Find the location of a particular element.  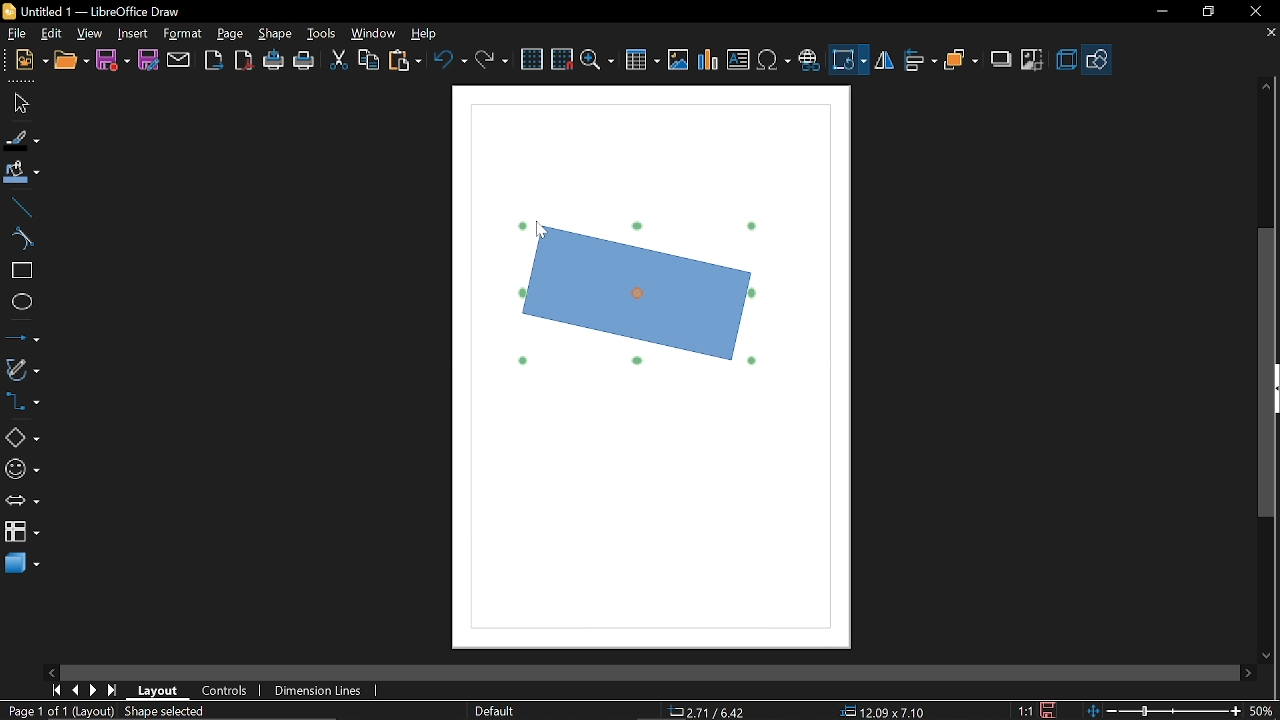

basic shapes is located at coordinates (22, 438).